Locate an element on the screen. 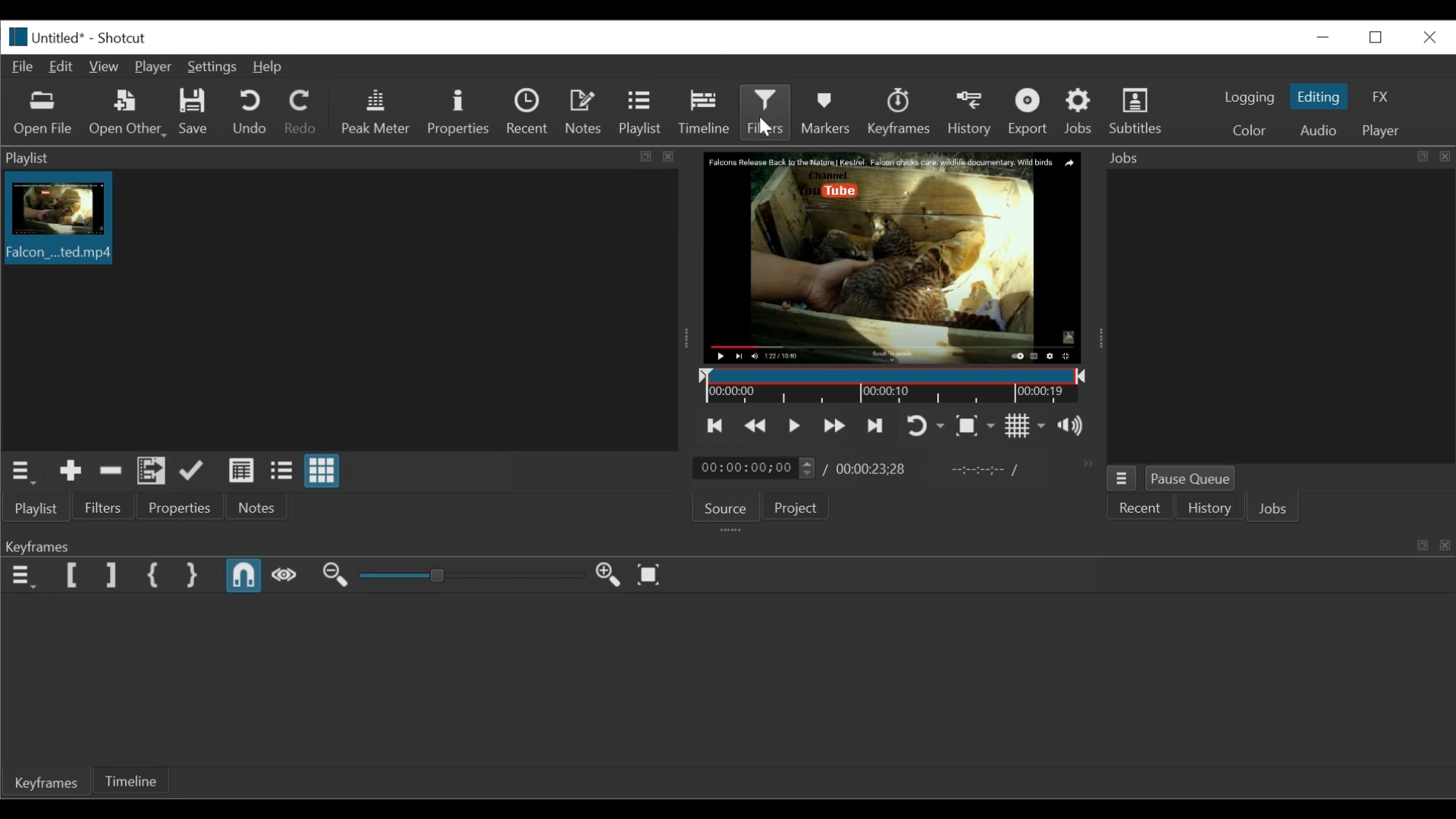 The width and height of the screenshot is (1456, 819). Export is located at coordinates (1029, 112).